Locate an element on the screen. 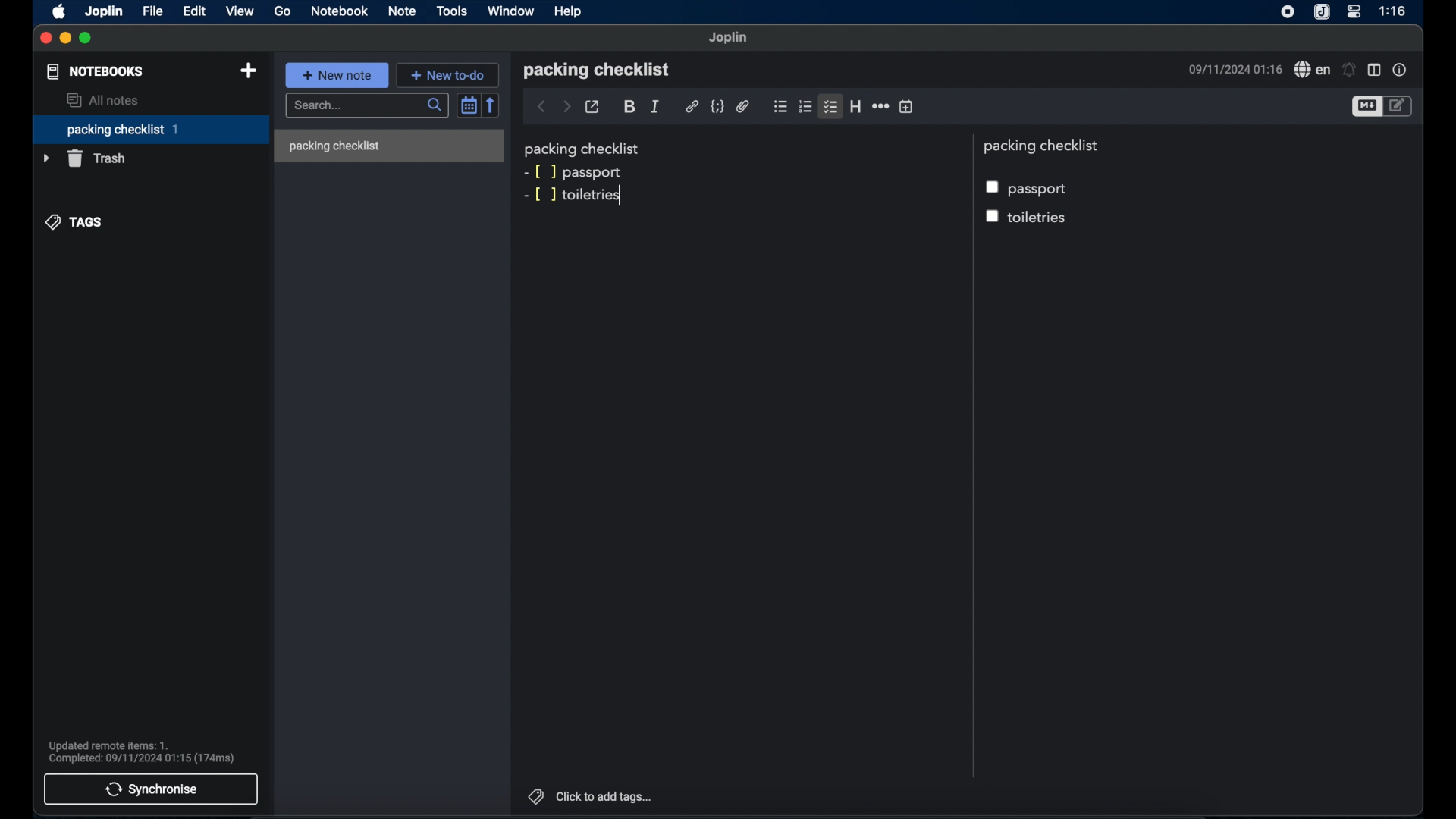 This screenshot has width=1456, height=819. joplin icone is located at coordinates (1322, 12).